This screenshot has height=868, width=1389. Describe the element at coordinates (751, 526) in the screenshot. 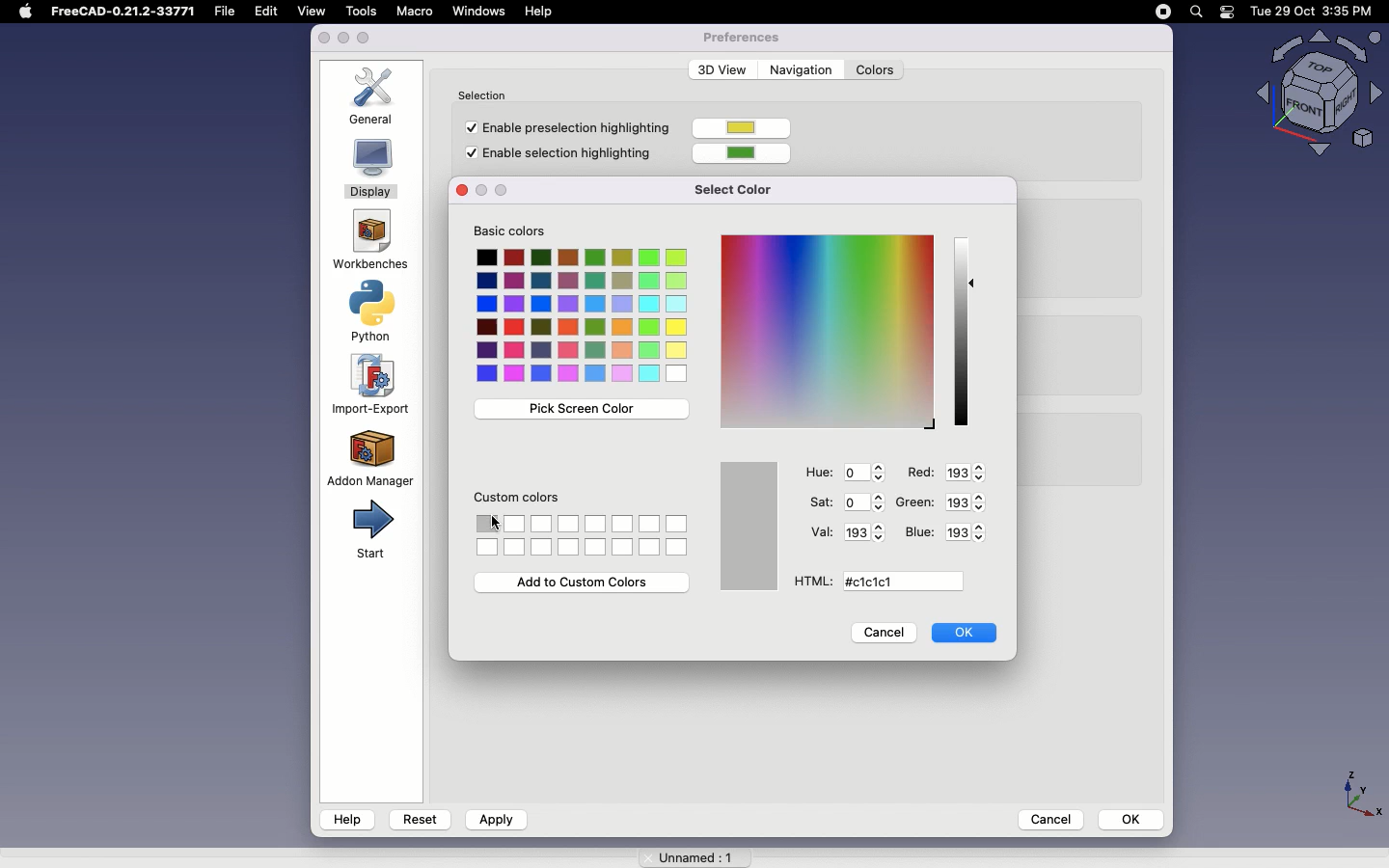

I see `Window color` at that location.